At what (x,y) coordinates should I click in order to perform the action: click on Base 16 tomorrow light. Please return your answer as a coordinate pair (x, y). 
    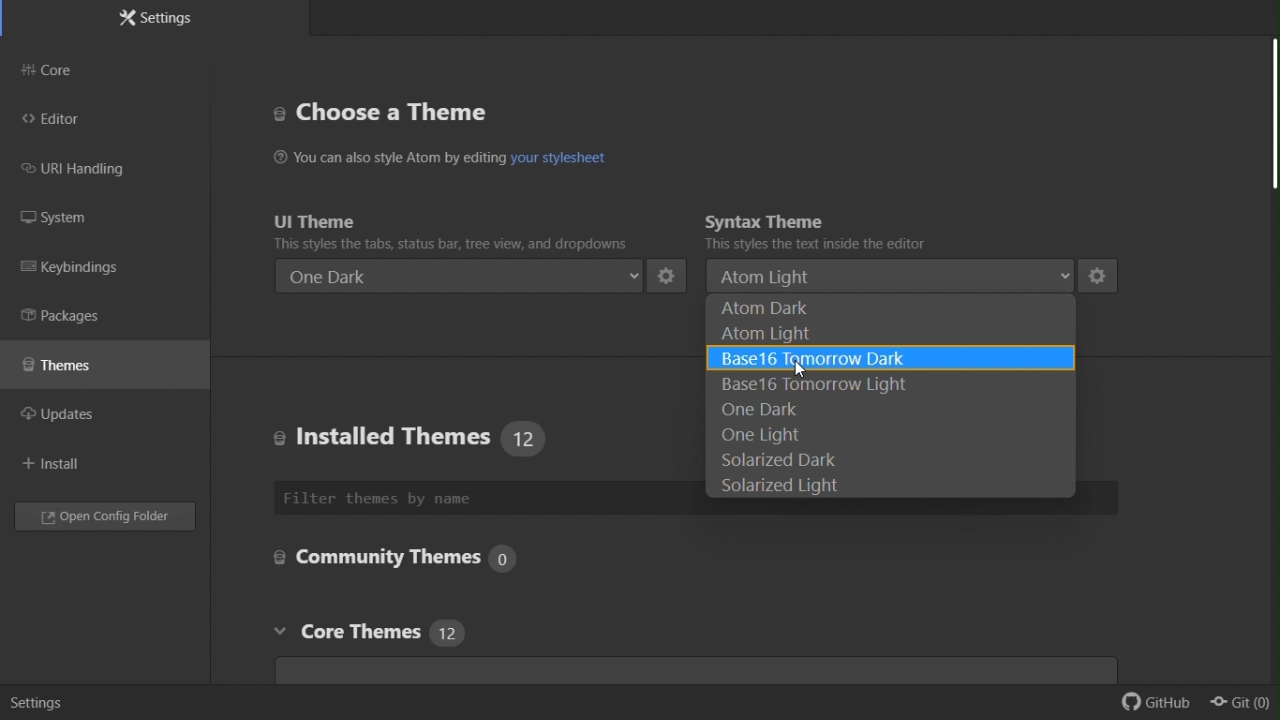
    Looking at the image, I should click on (894, 384).